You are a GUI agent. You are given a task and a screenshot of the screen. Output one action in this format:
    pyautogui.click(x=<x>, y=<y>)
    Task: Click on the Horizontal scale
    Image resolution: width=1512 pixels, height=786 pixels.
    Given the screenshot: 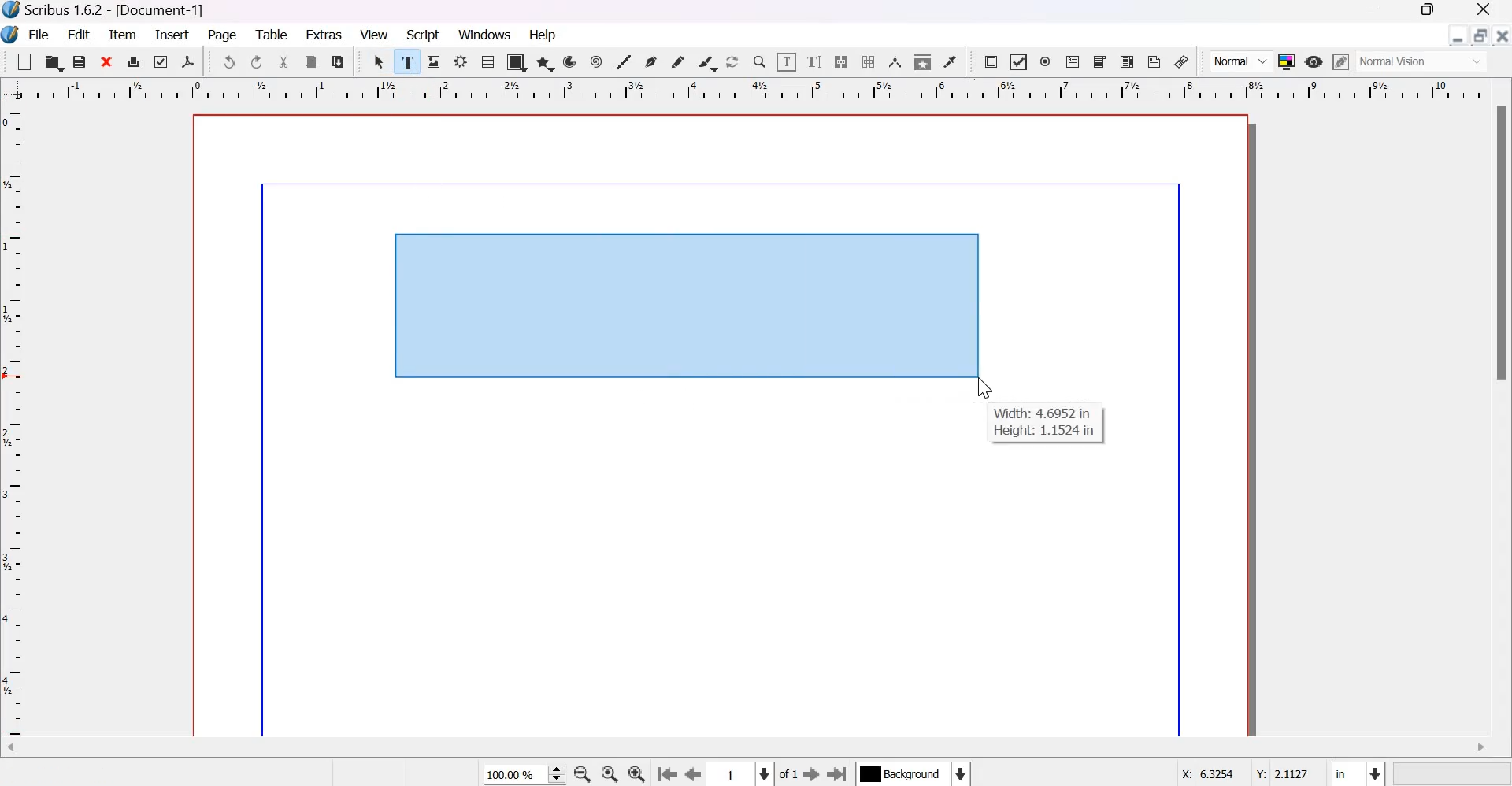 What is the action you would take?
    pyautogui.click(x=754, y=90)
    